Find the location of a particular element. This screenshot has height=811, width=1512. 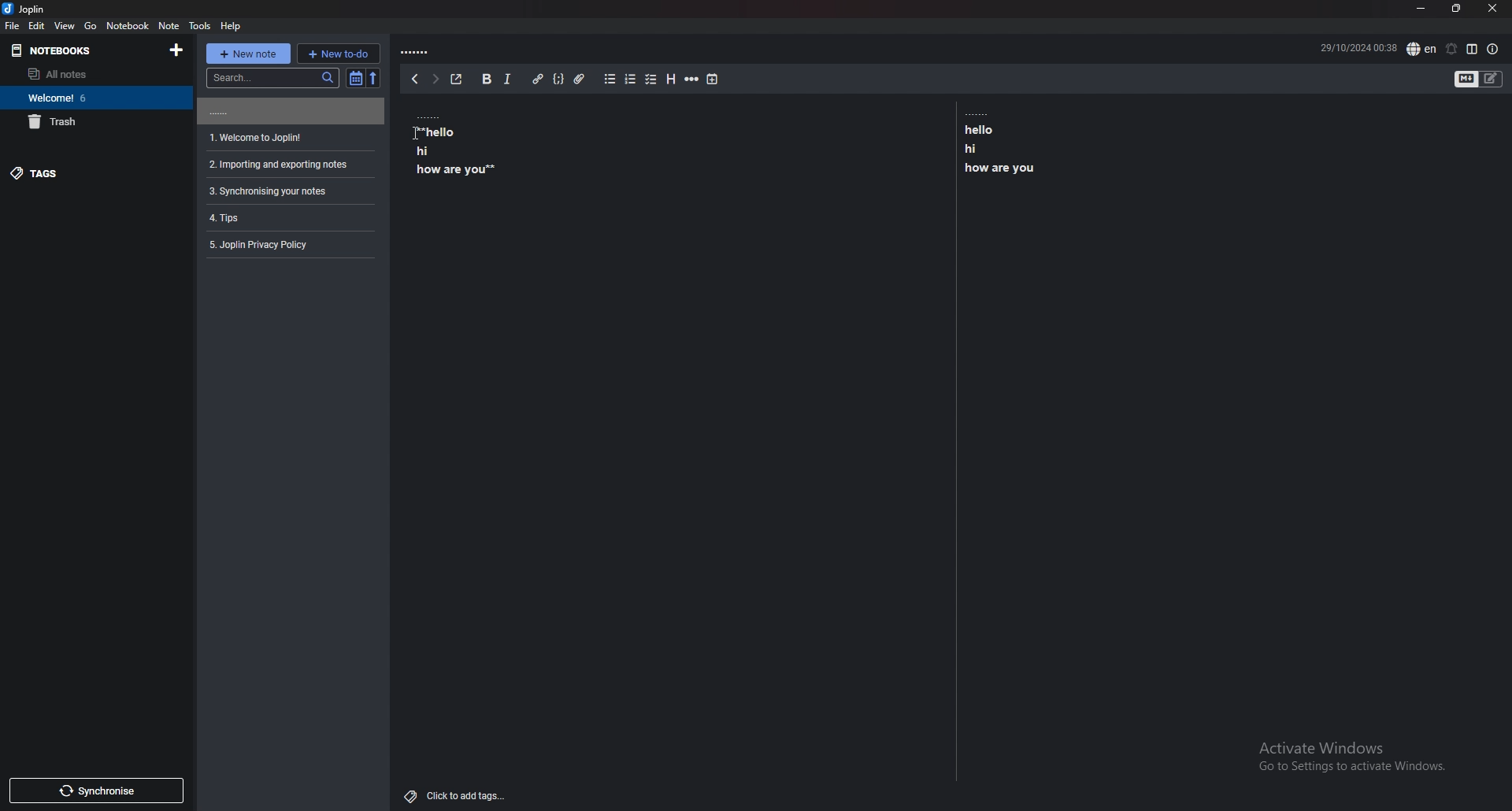

help is located at coordinates (230, 26).